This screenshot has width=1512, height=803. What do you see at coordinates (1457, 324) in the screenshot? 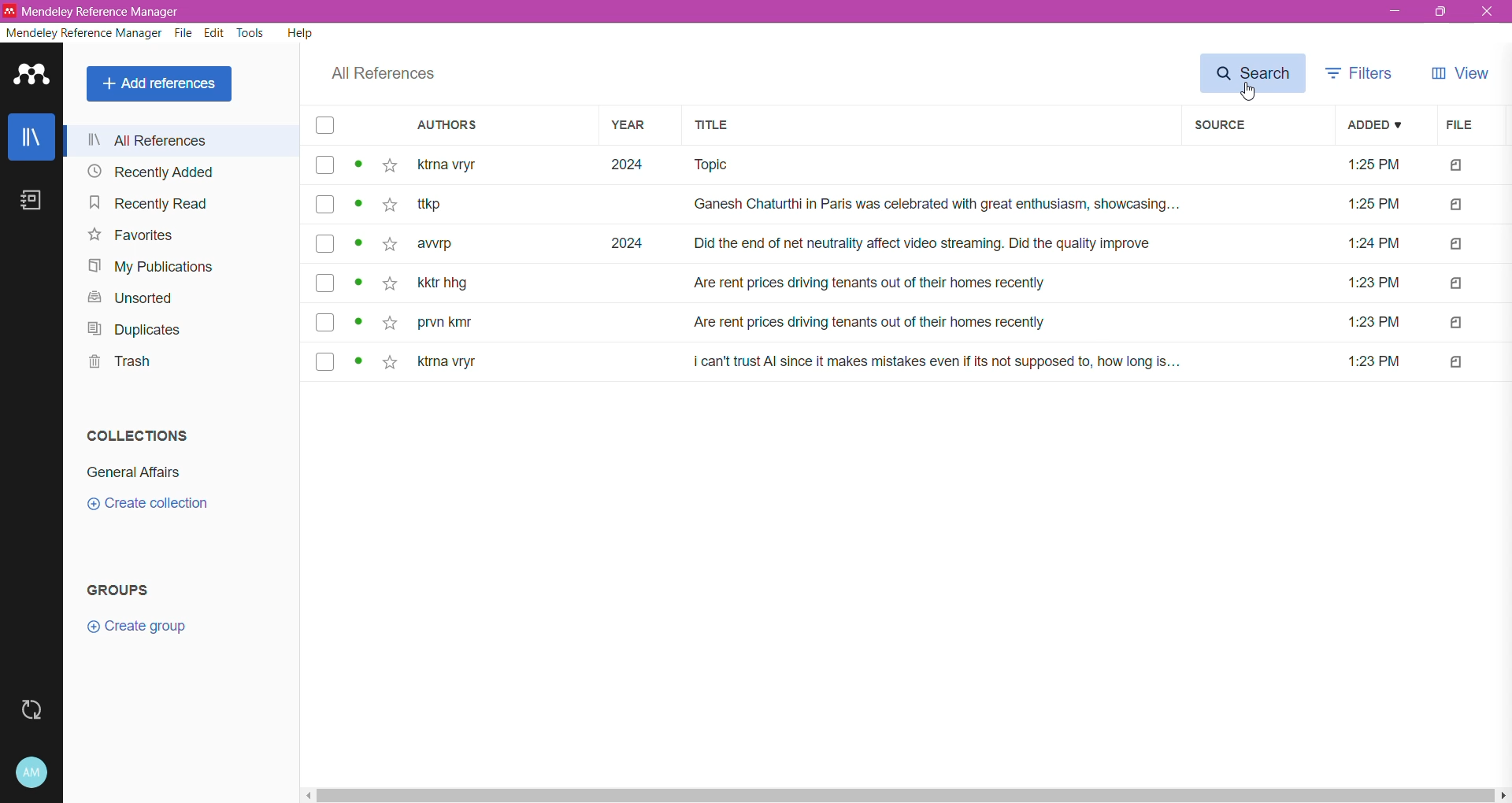
I see `file type` at bounding box center [1457, 324].